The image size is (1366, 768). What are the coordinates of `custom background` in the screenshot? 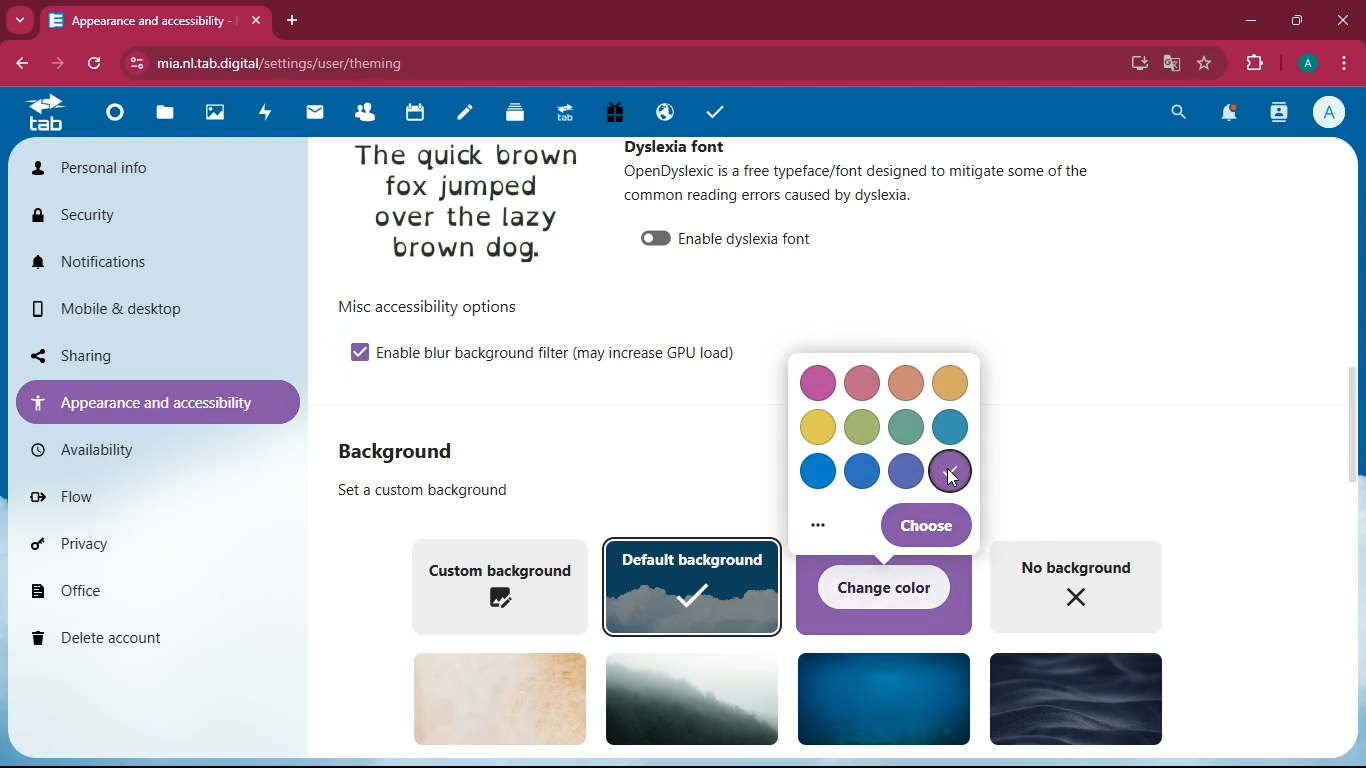 It's located at (497, 584).